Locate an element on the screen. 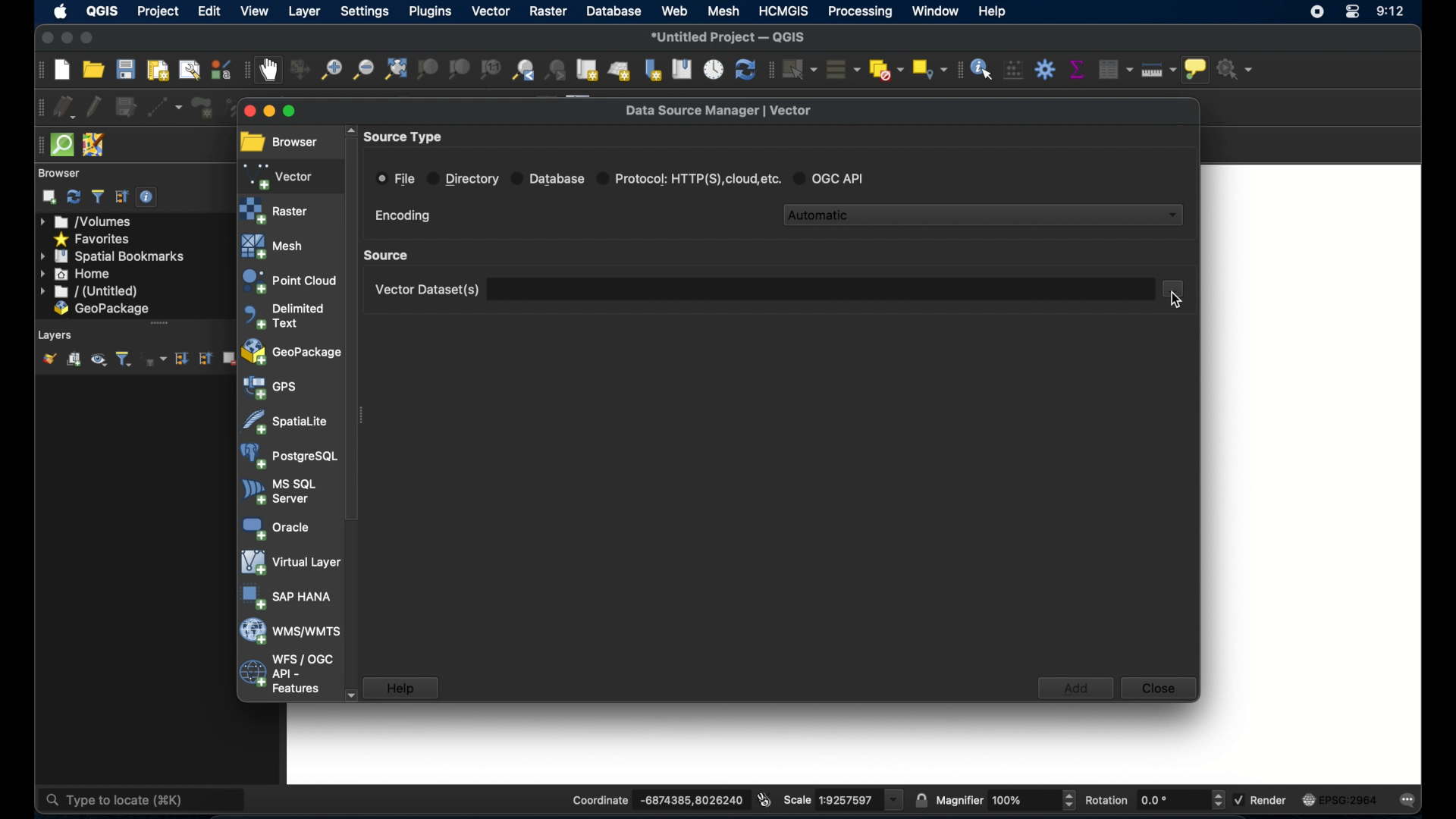 This screenshot has width=1456, height=819. select by location is located at coordinates (930, 69).